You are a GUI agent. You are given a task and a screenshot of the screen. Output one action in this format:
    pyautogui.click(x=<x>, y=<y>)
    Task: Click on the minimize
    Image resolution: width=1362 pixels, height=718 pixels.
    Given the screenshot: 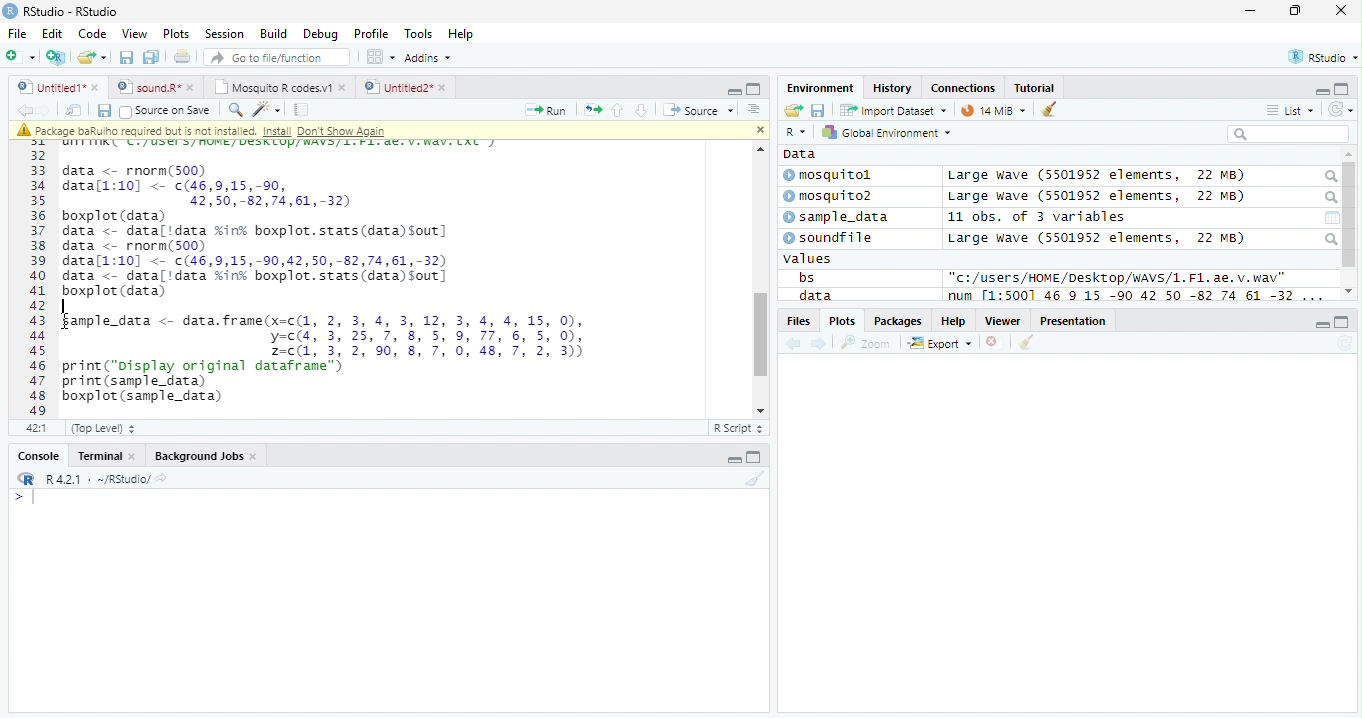 What is the action you would take?
    pyautogui.click(x=734, y=90)
    